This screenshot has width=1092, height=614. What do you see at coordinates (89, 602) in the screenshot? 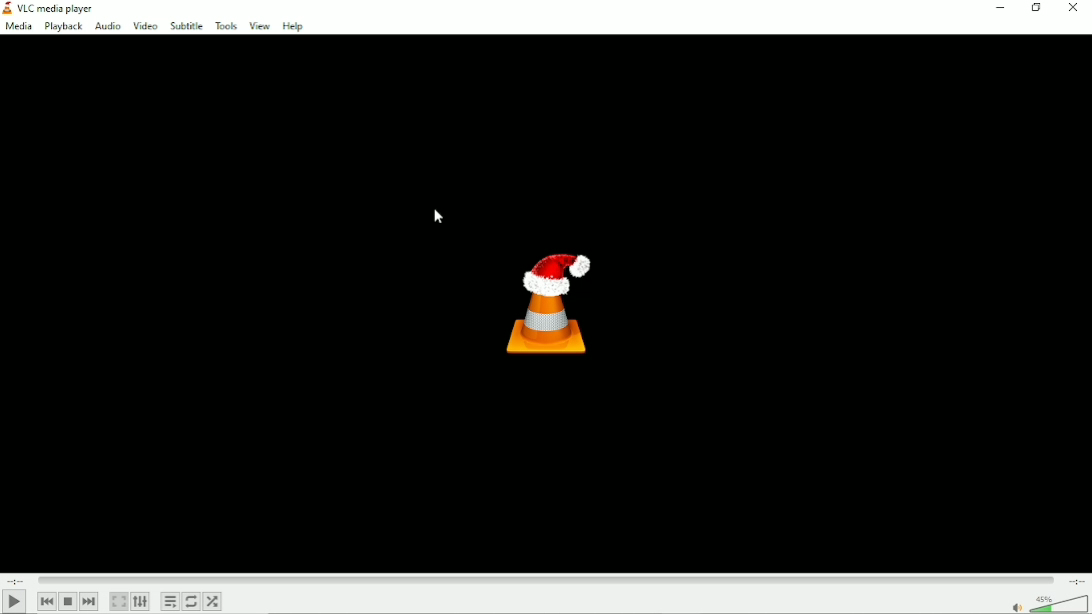
I see `Next` at bounding box center [89, 602].